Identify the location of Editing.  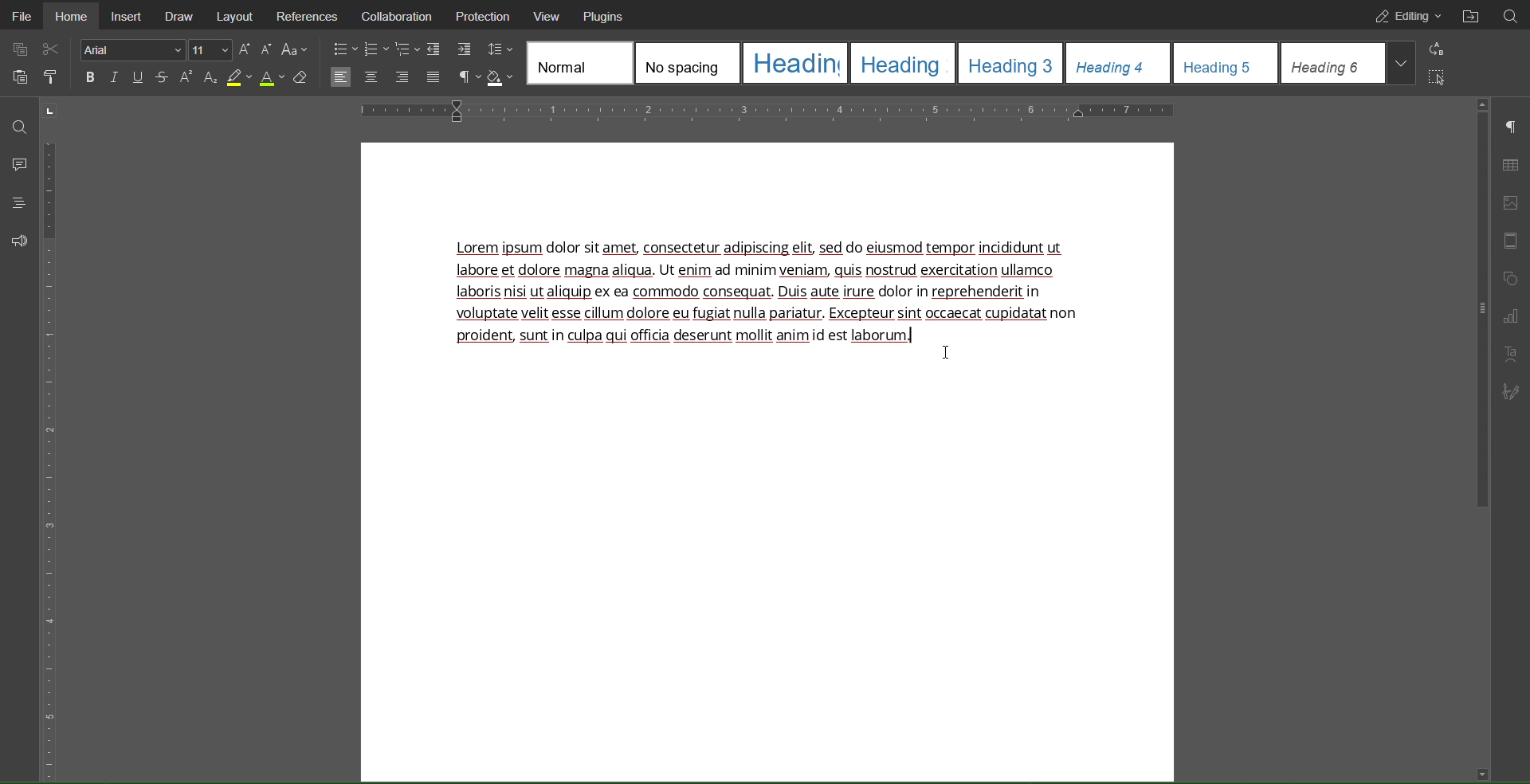
(1406, 16).